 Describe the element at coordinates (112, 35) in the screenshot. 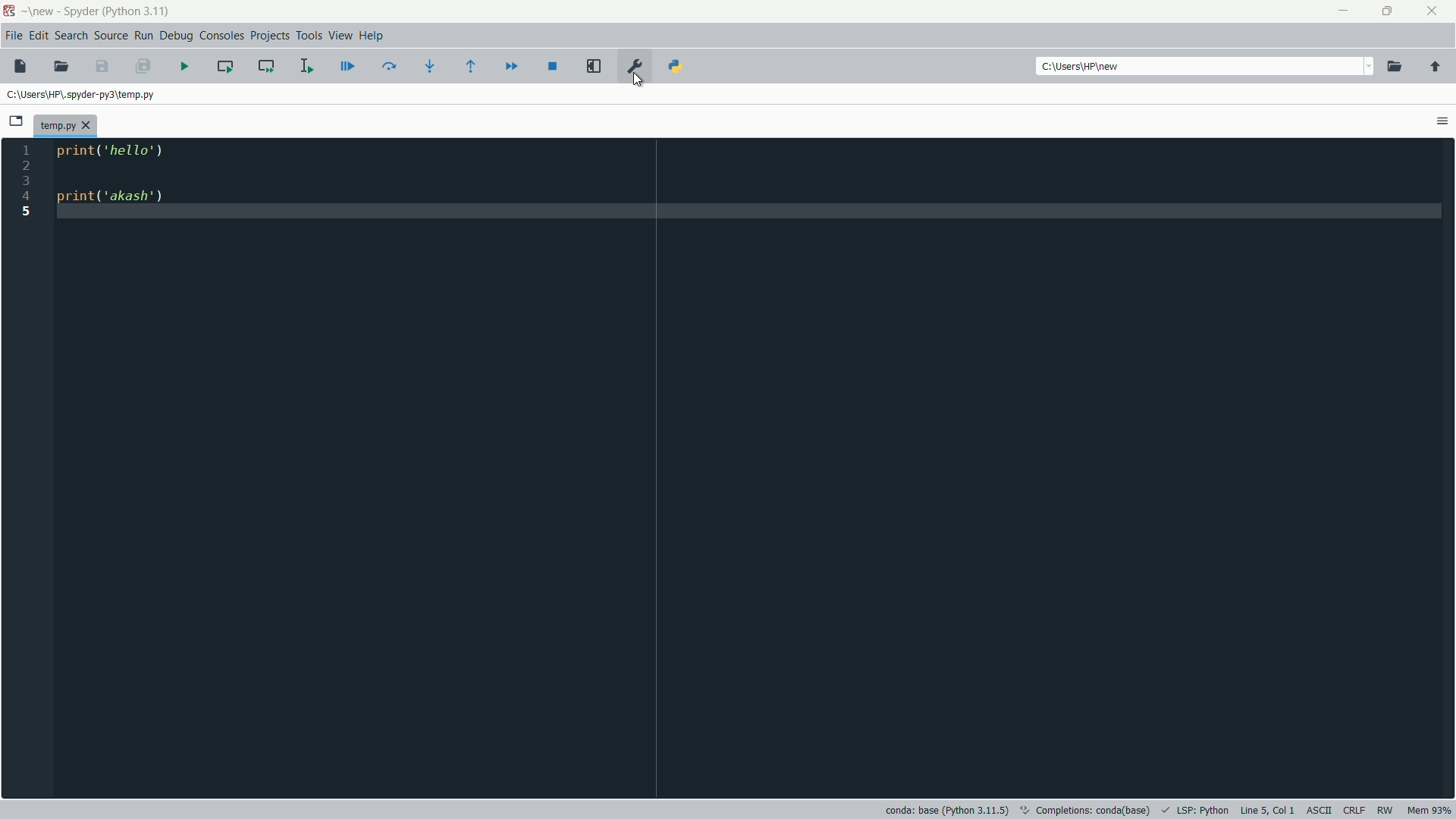

I see `source menu` at that location.